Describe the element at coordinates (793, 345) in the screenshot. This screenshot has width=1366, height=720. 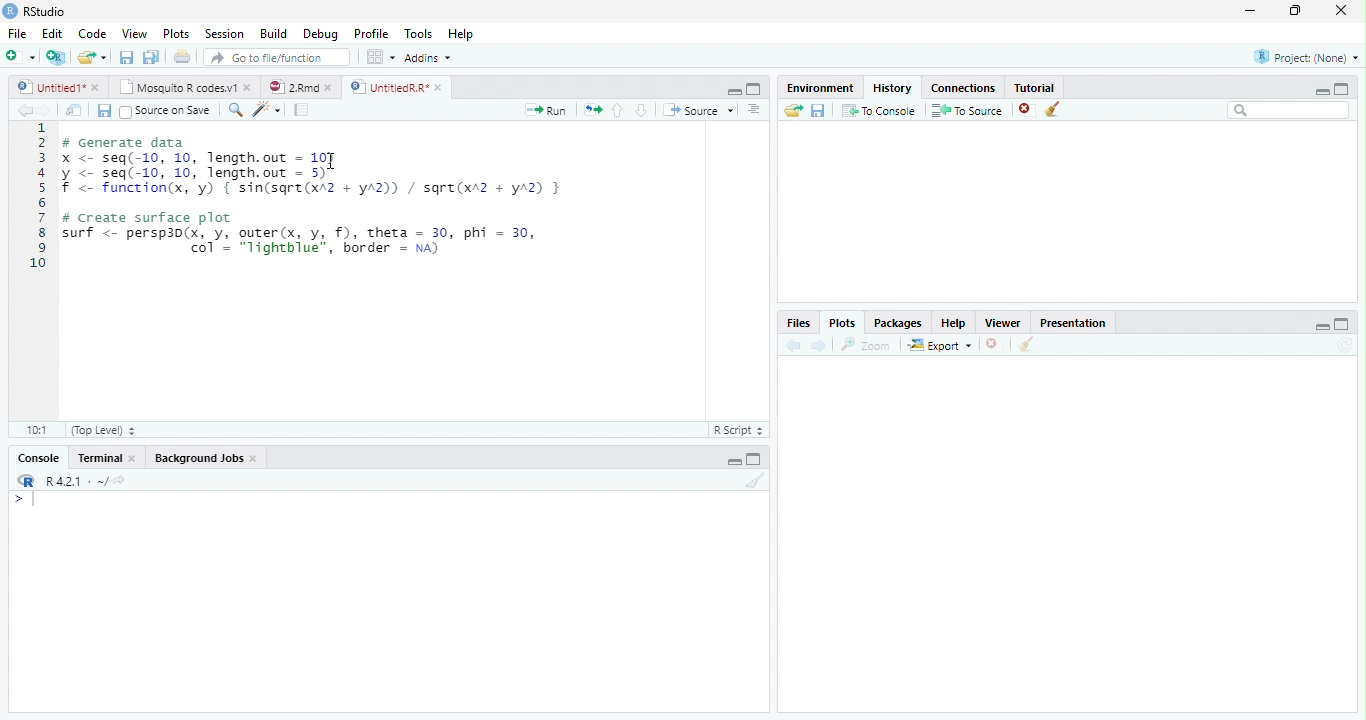
I see `Previous plot` at that location.